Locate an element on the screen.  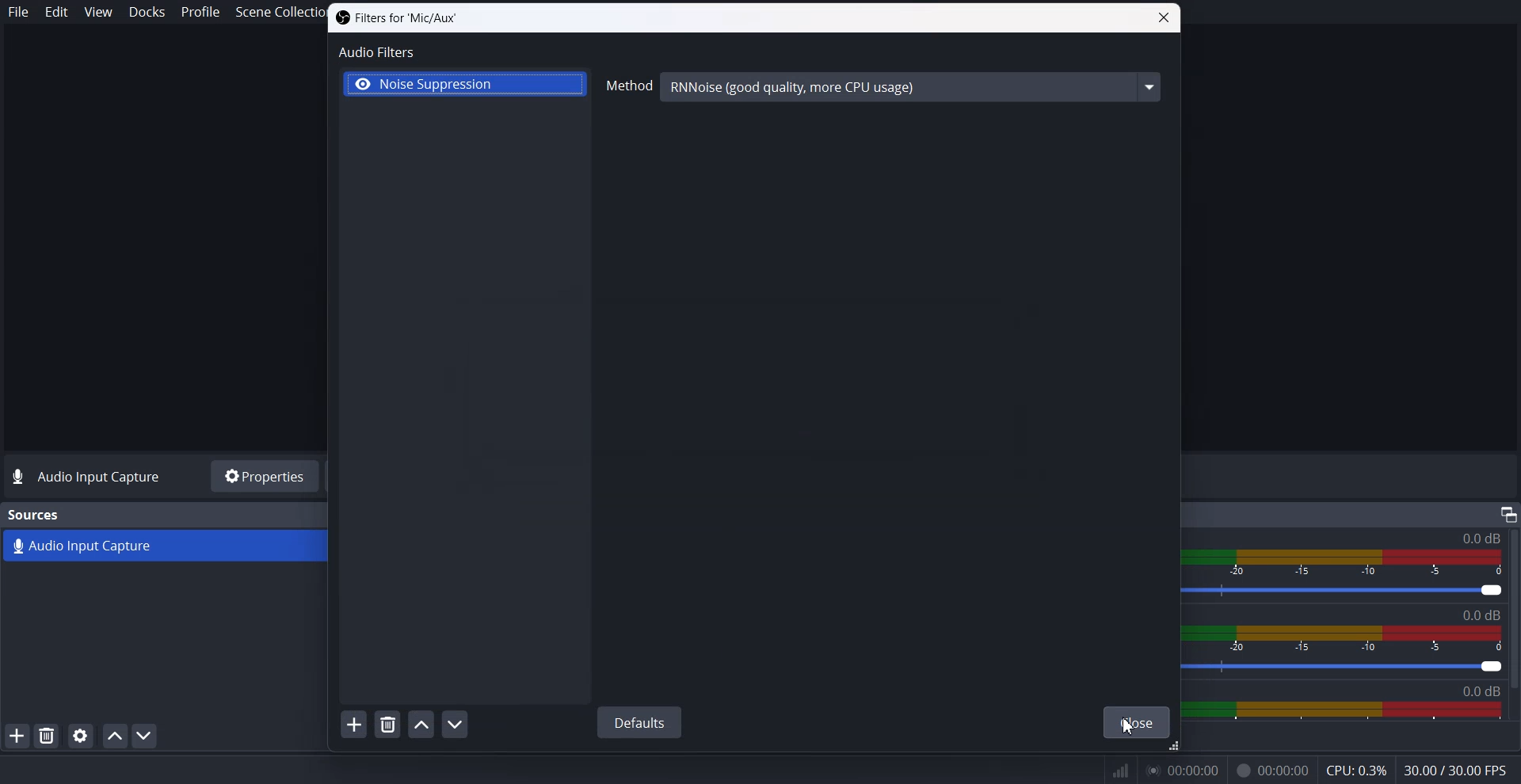
Audio Input capture is located at coordinates (1480, 539).